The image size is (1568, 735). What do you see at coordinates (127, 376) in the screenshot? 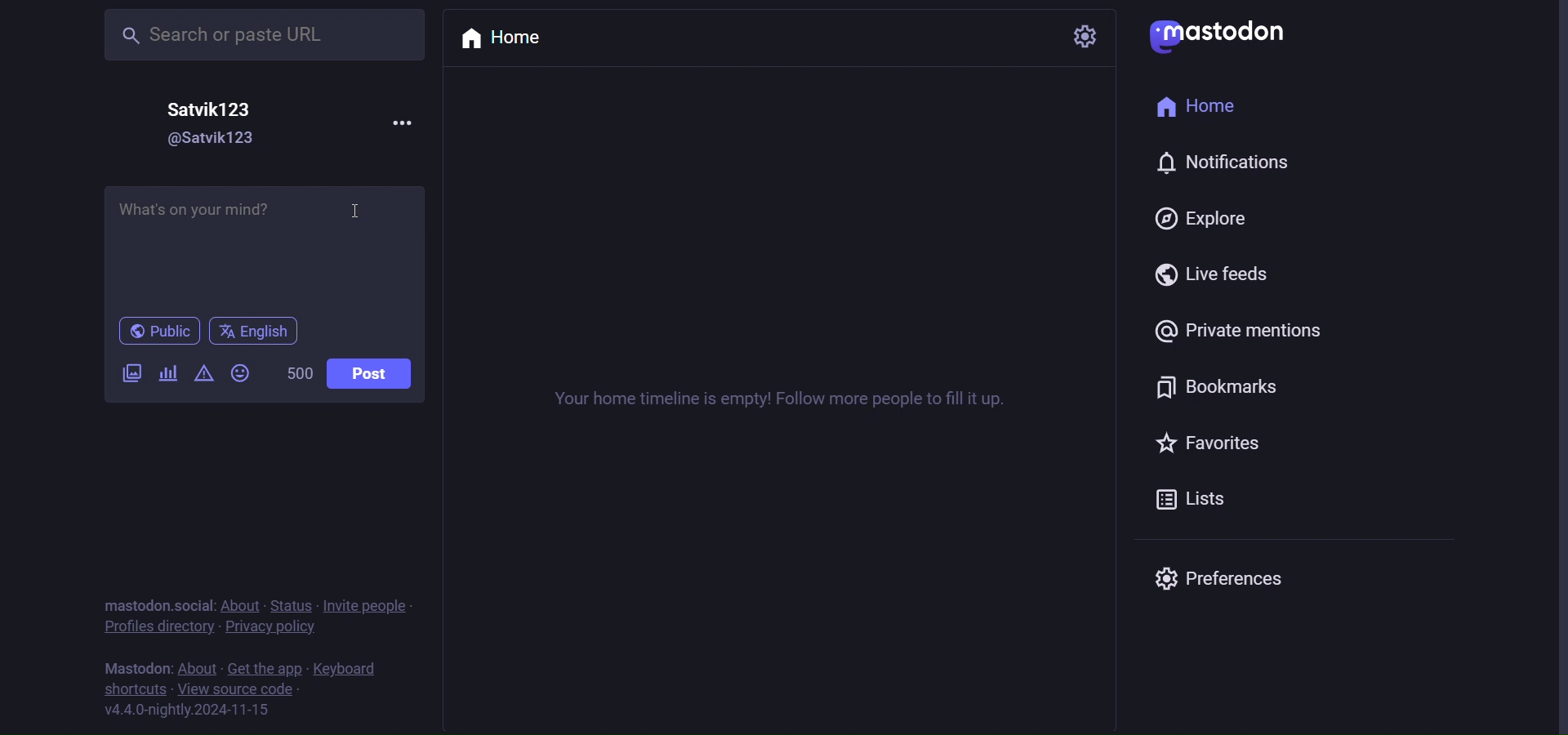
I see `add a image/video` at bounding box center [127, 376].